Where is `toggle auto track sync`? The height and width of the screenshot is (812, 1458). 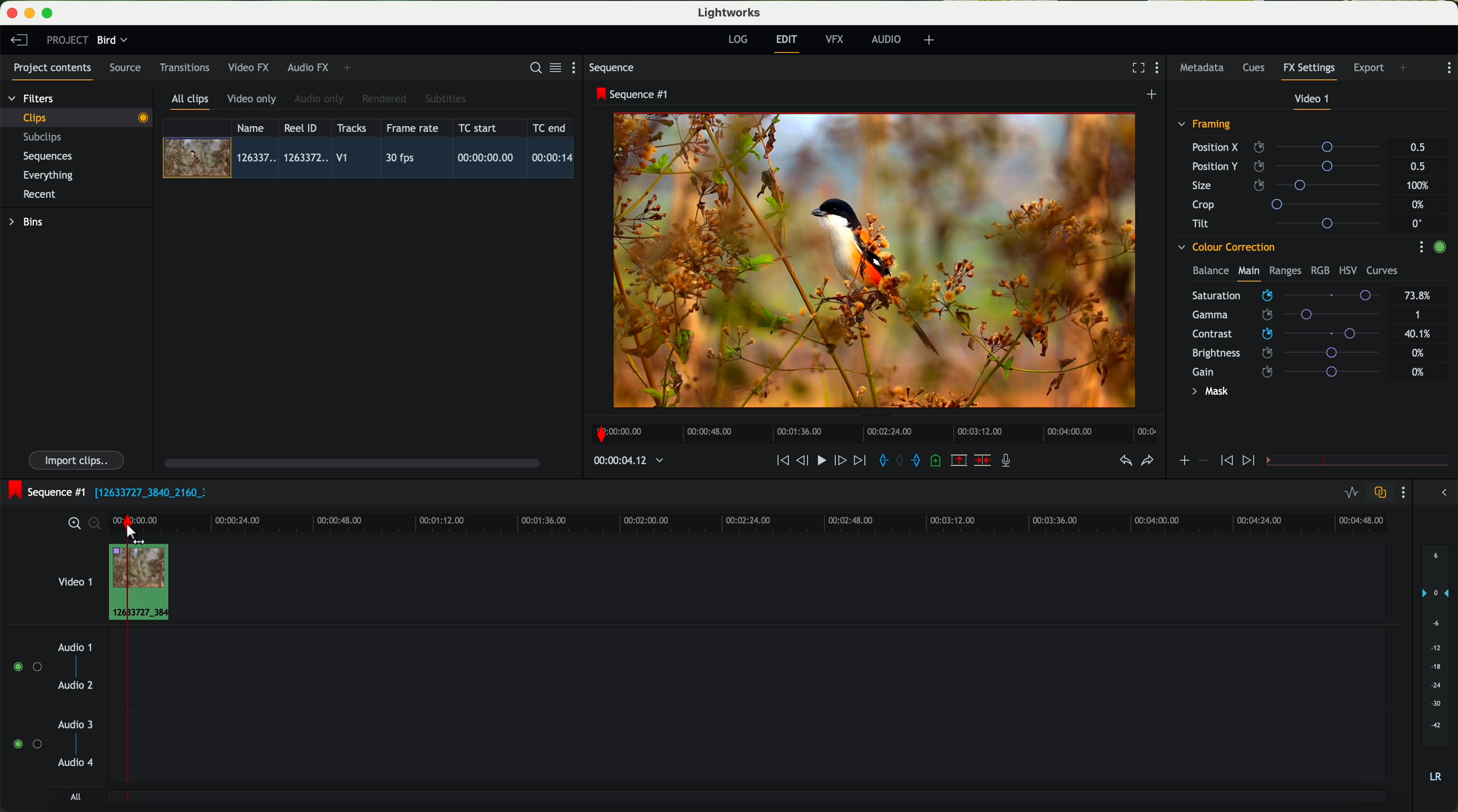
toggle auto track sync is located at coordinates (1378, 493).